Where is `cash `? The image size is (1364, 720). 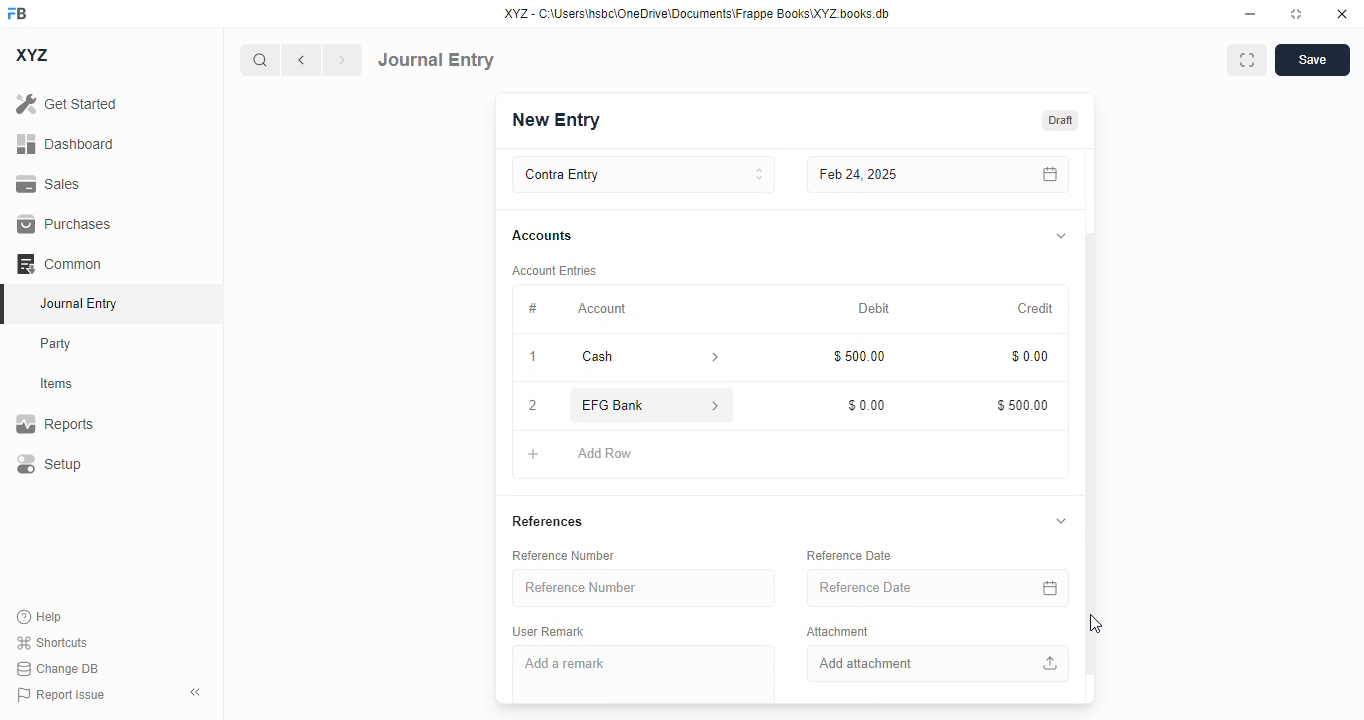
cash  is located at coordinates (621, 357).